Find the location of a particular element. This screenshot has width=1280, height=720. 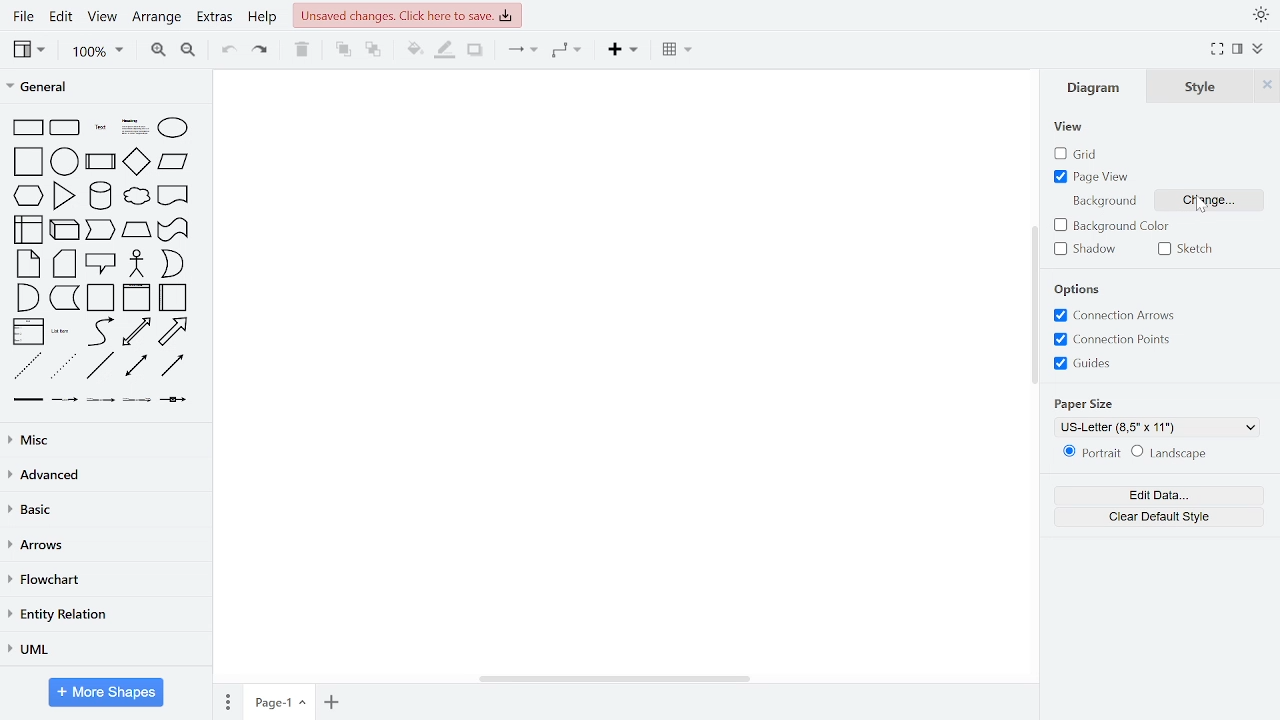

potrait is located at coordinates (1093, 452).